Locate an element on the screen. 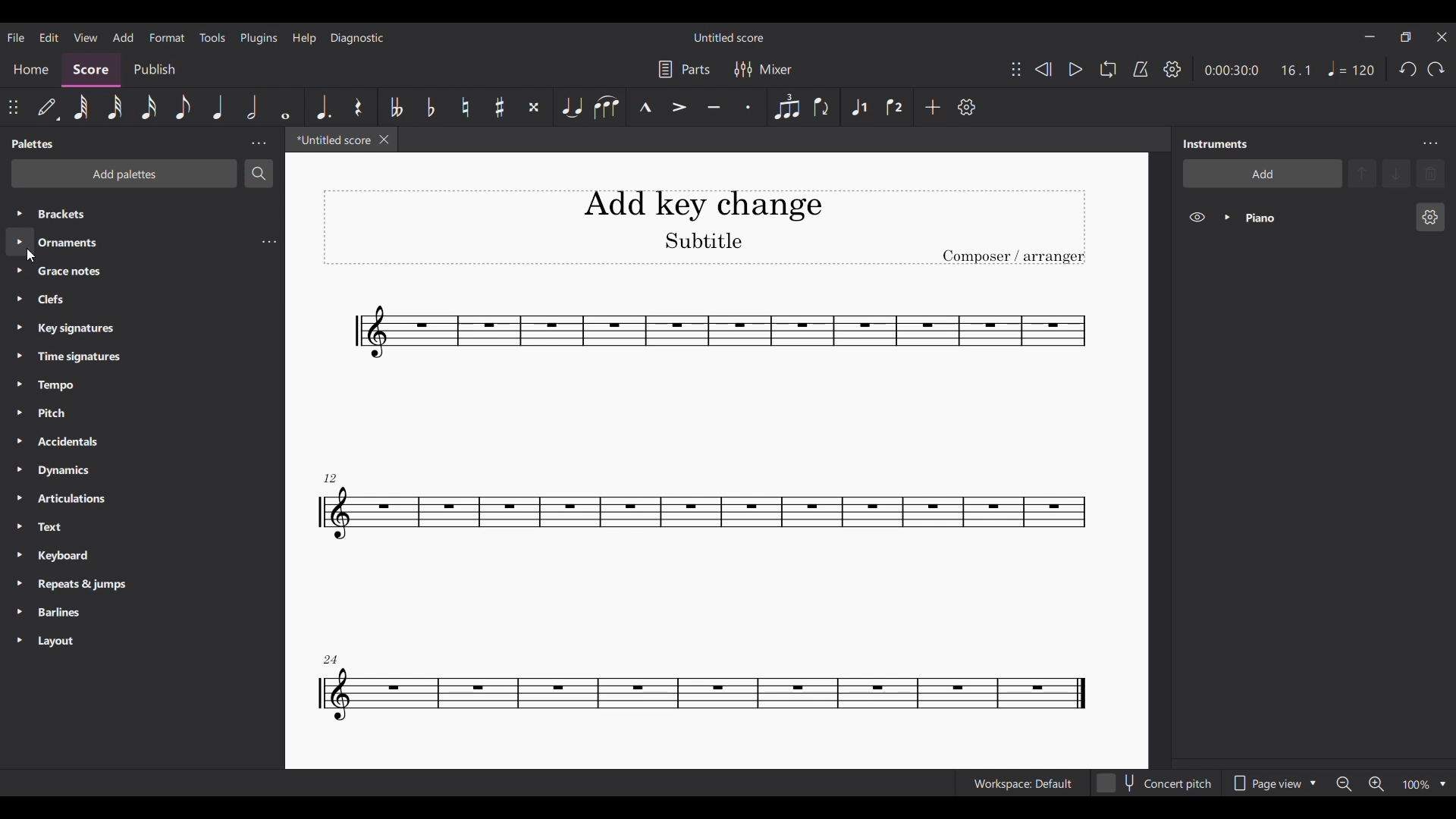  Current tab is located at coordinates (331, 140).